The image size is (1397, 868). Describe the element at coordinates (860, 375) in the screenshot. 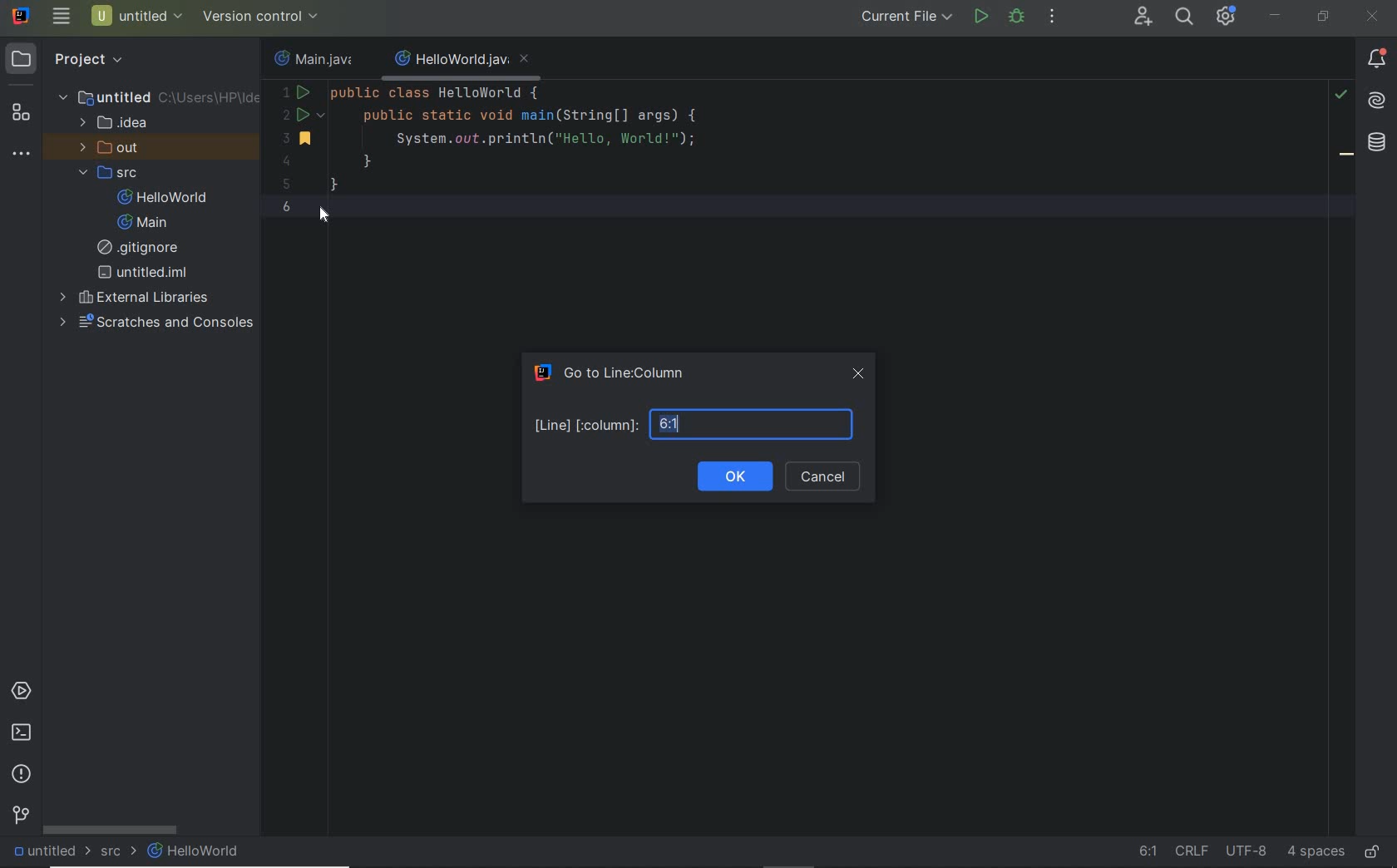

I see `close` at that location.